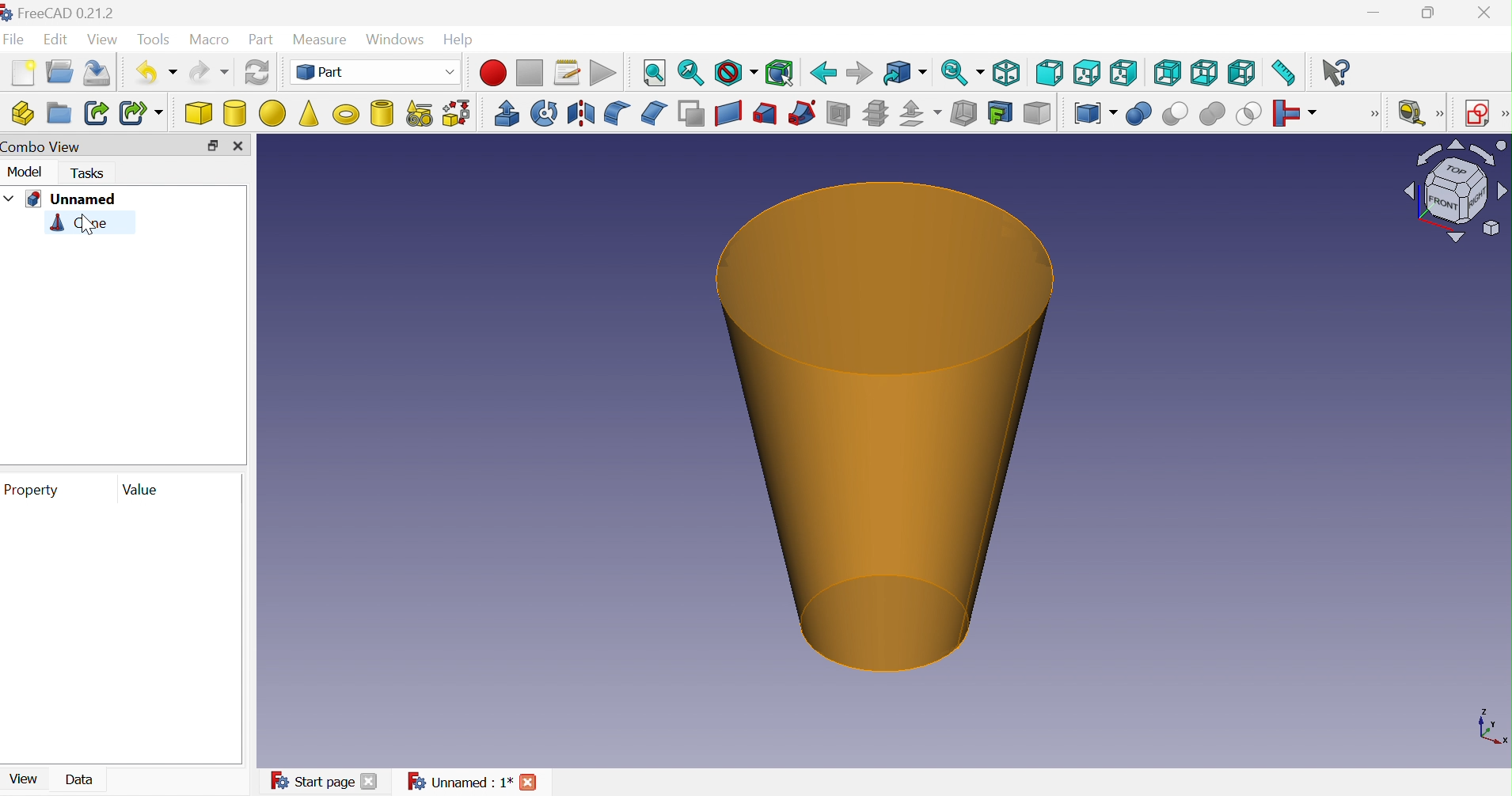 The height and width of the screenshot is (796, 1512). I want to click on Tools, so click(154, 40).